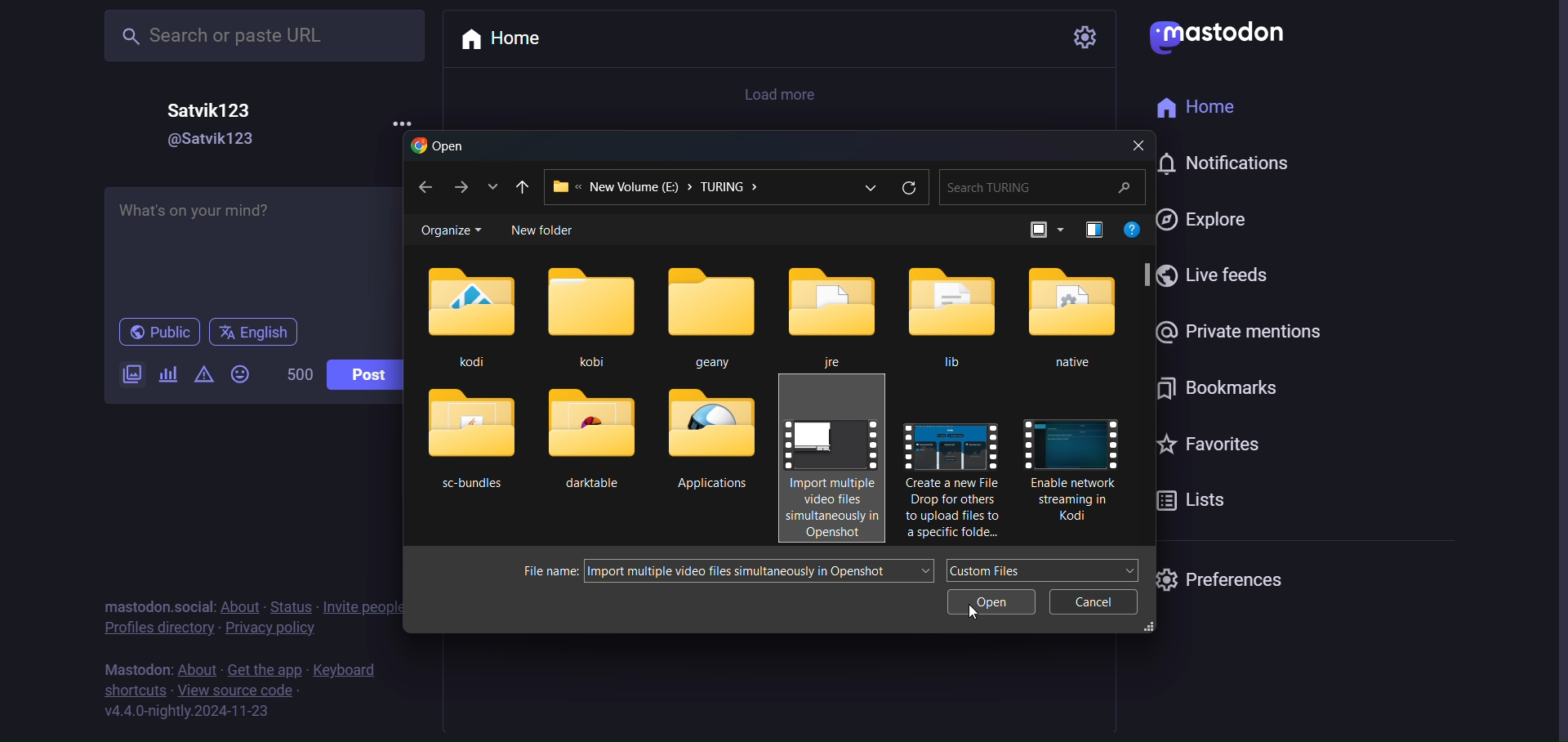 The width and height of the screenshot is (1568, 742). What do you see at coordinates (134, 691) in the screenshot?
I see `shortcut` at bounding box center [134, 691].